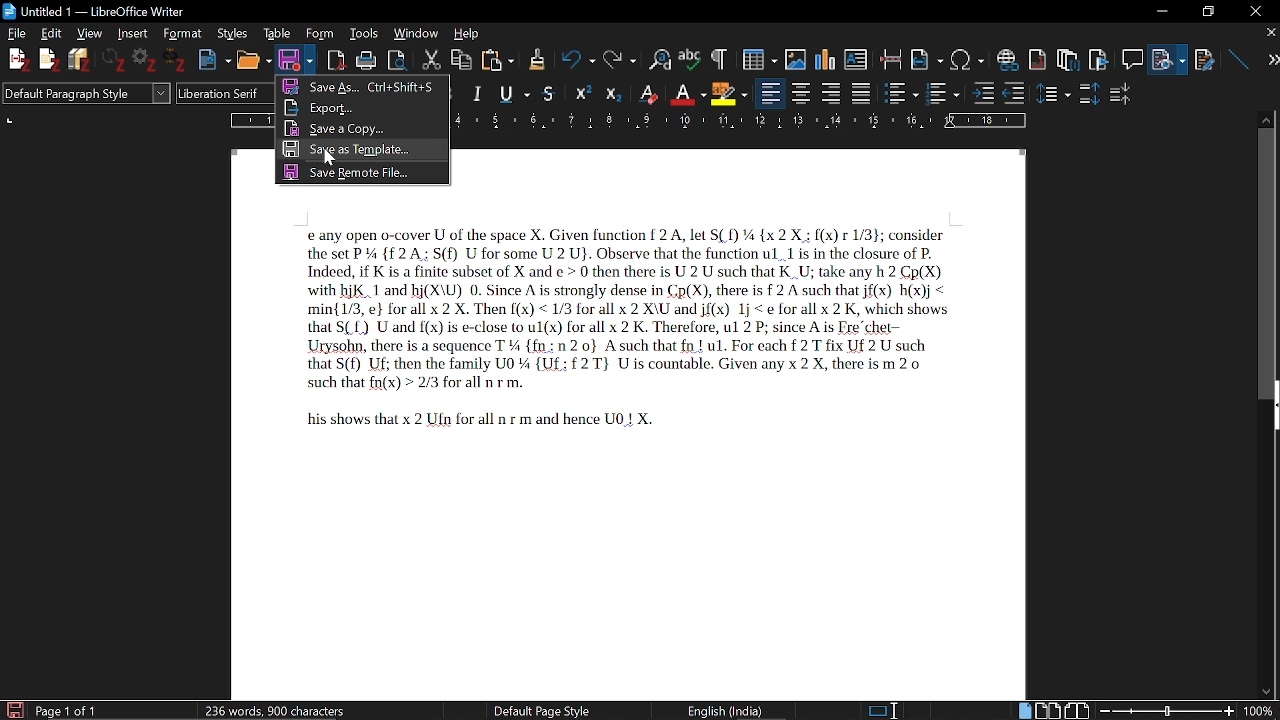  I want to click on Default Paragraph Style, so click(84, 95).